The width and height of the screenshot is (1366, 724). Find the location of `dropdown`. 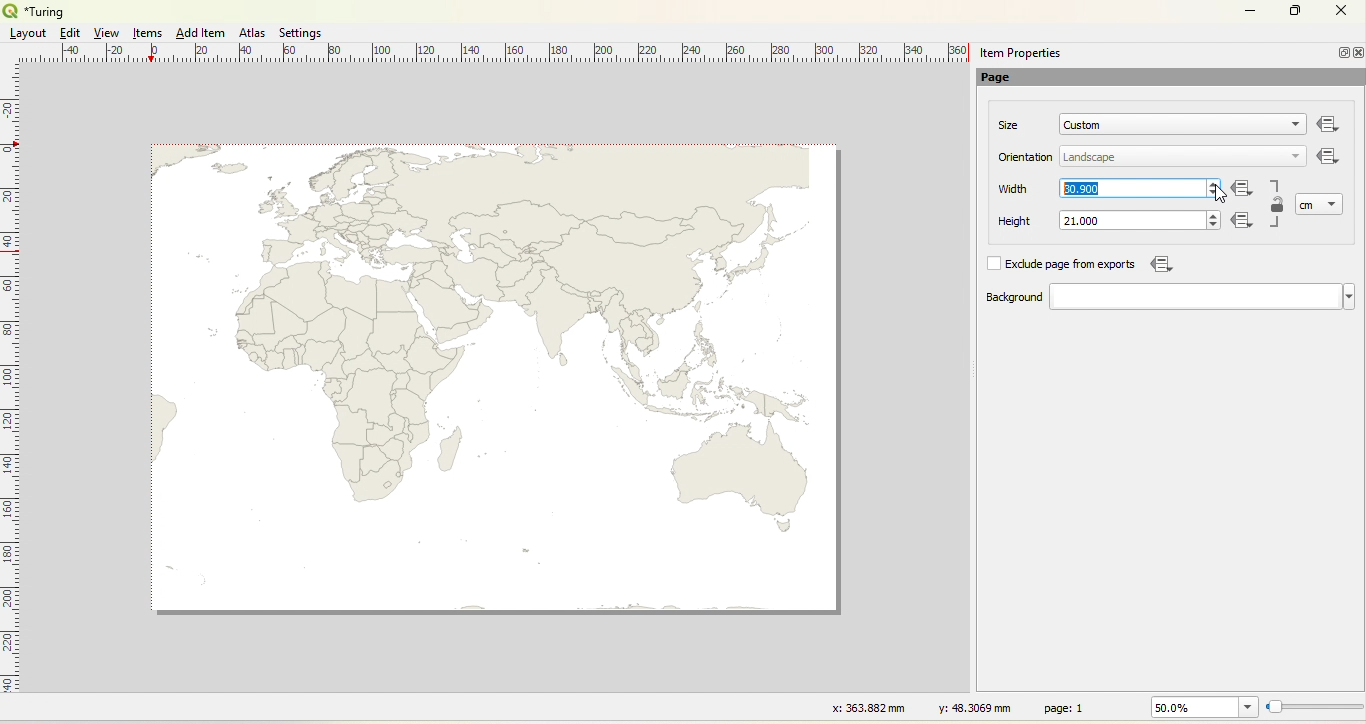

dropdown is located at coordinates (1294, 158).